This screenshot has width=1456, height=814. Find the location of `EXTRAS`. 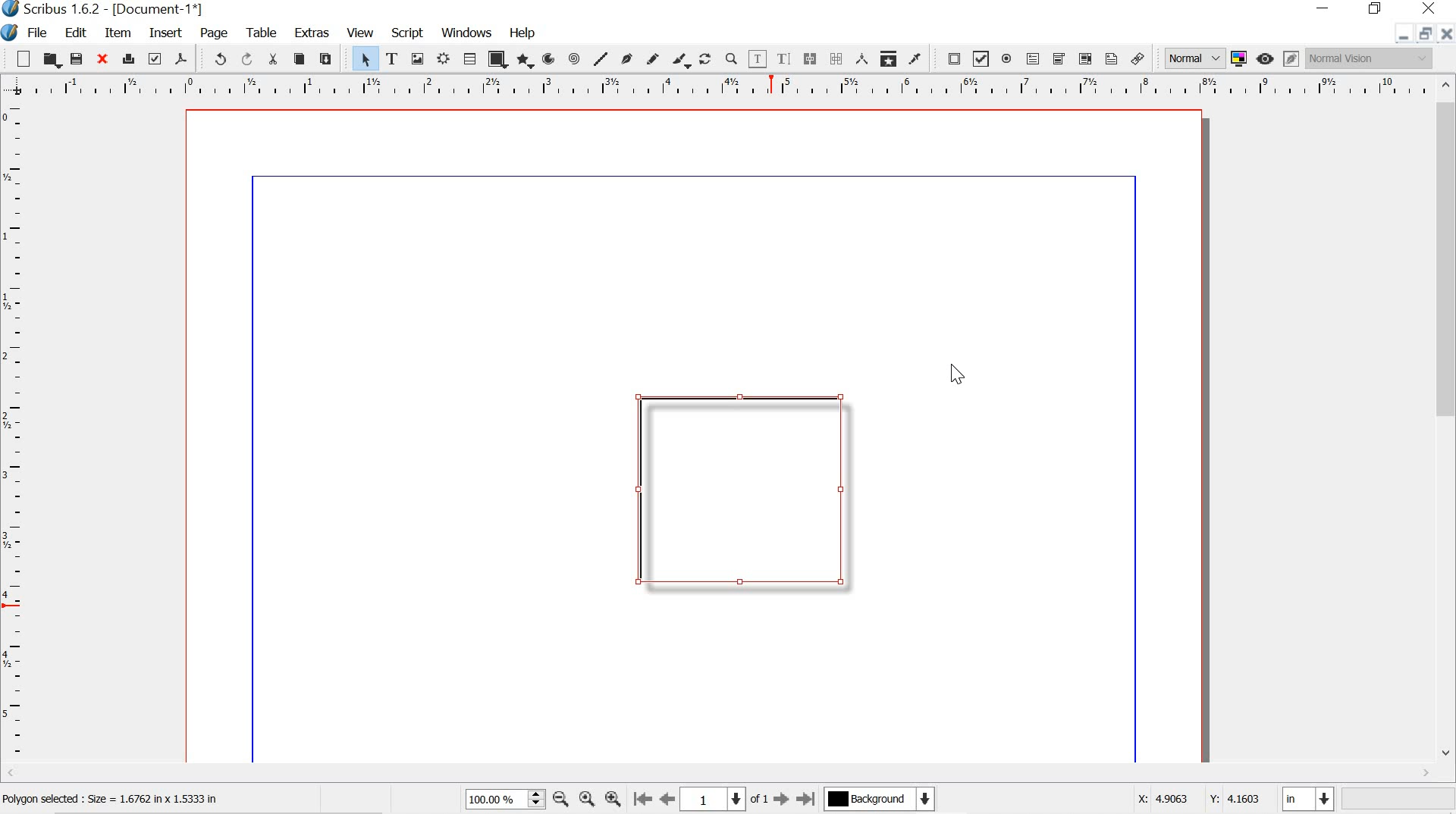

EXTRAS is located at coordinates (311, 34).